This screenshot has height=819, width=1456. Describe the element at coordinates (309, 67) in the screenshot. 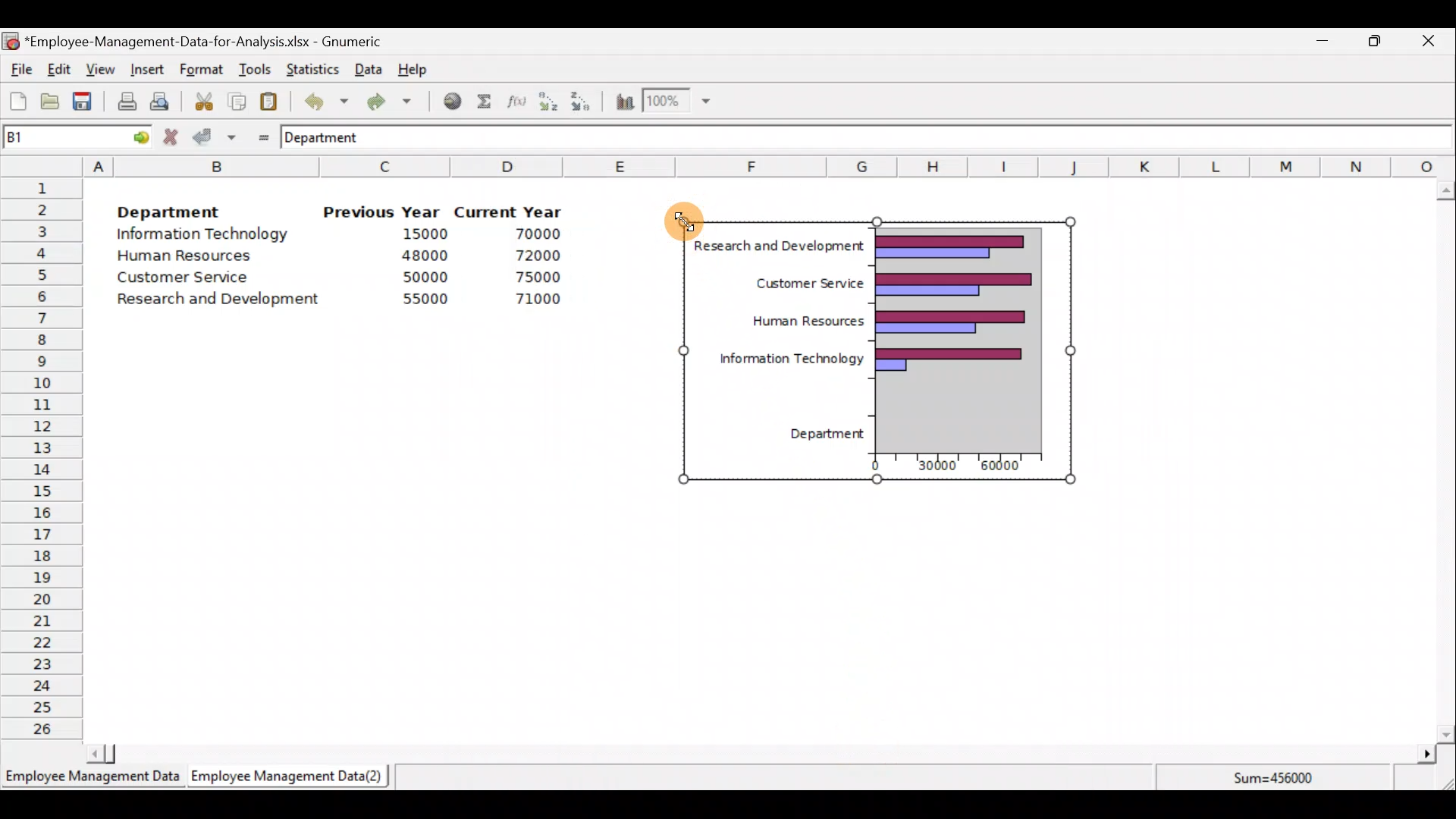

I see `Statistics` at that location.